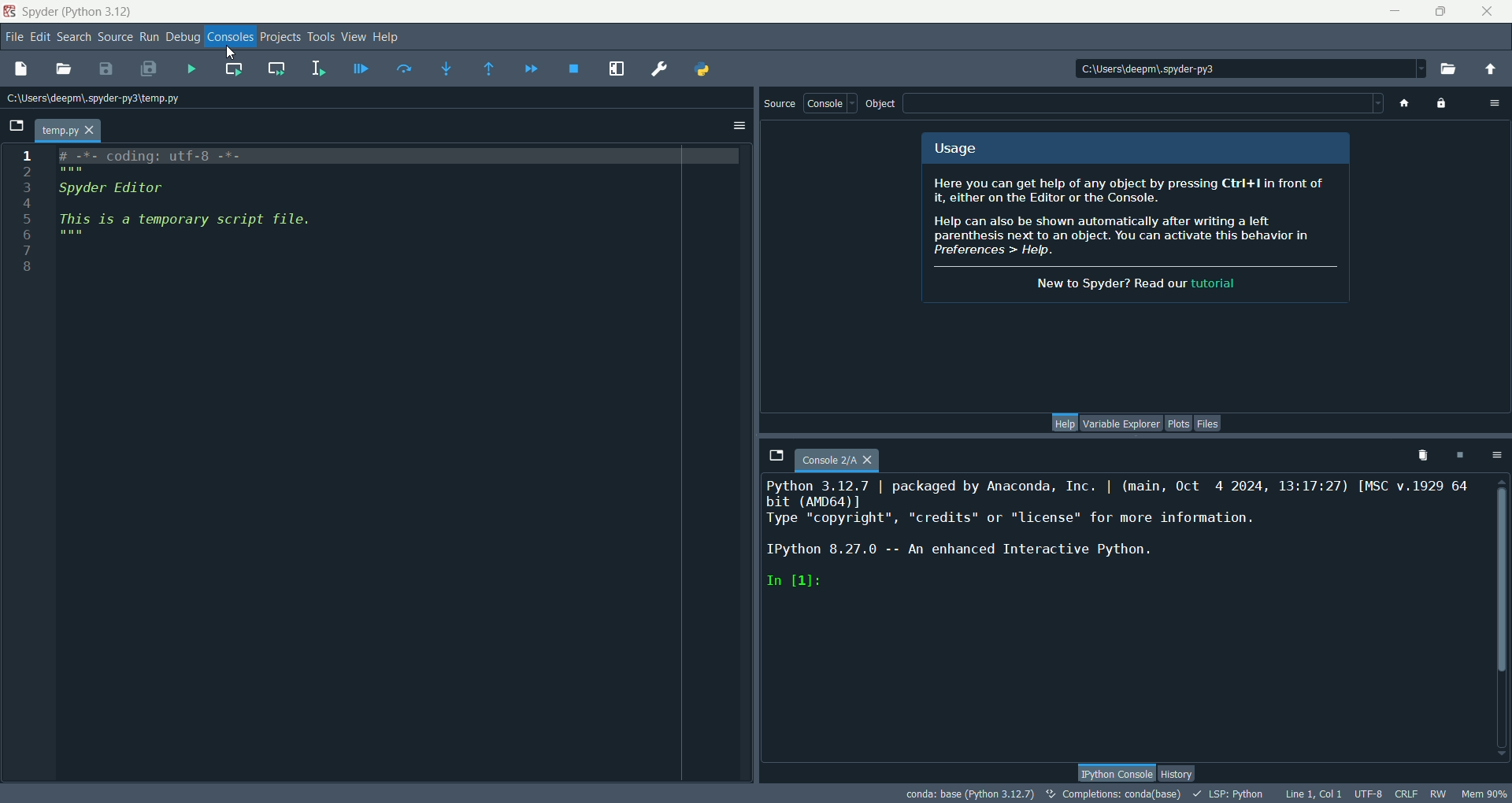 The height and width of the screenshot is (803, 1512). I want to click on close, so click(1486, 12).